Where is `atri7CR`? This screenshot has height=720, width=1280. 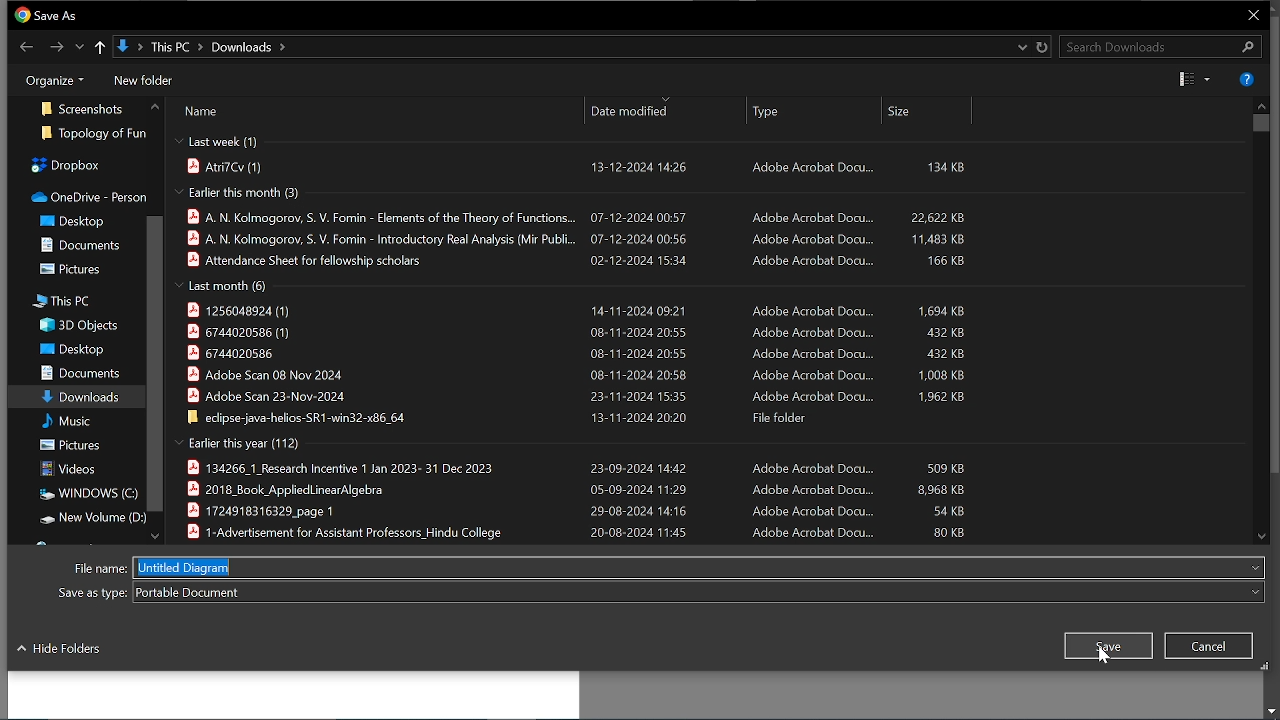
atri7CR is located at coordinates (227, 169).